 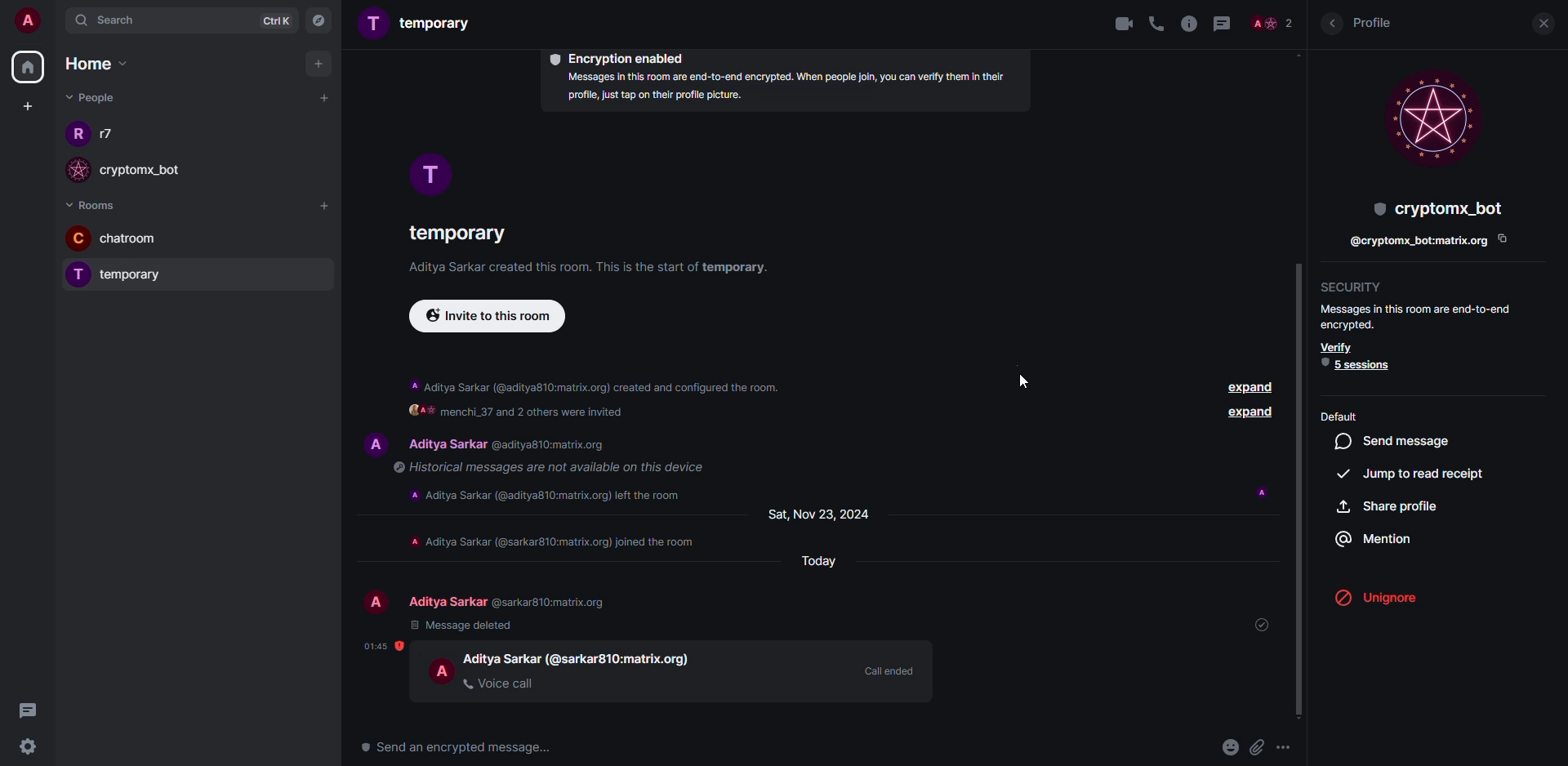 What do you see at coordinates (1159, 24) in the screenshot?
I see `voice call` at bounding box center [1159, 24].